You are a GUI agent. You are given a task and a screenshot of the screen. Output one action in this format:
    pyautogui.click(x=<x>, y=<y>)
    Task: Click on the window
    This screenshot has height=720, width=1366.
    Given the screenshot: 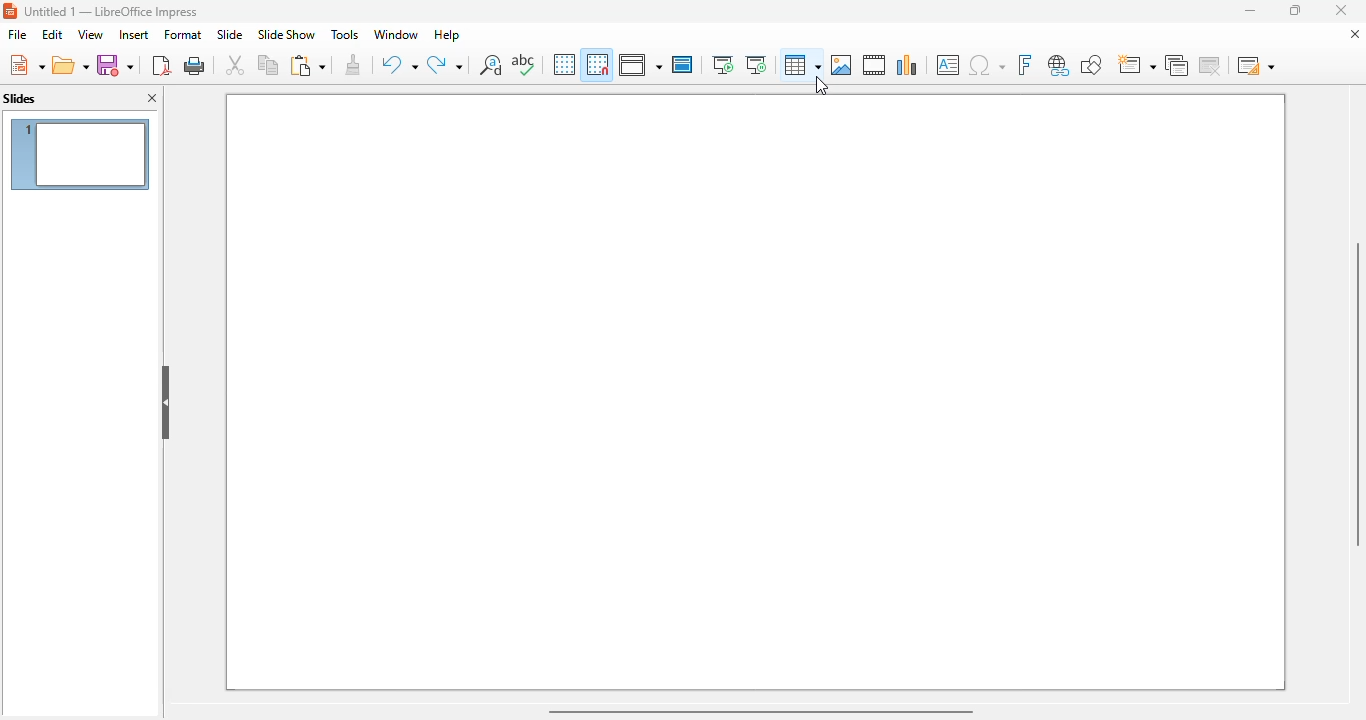 What is the action you would take?
    pyautogui.click(x=397, y=35)
    